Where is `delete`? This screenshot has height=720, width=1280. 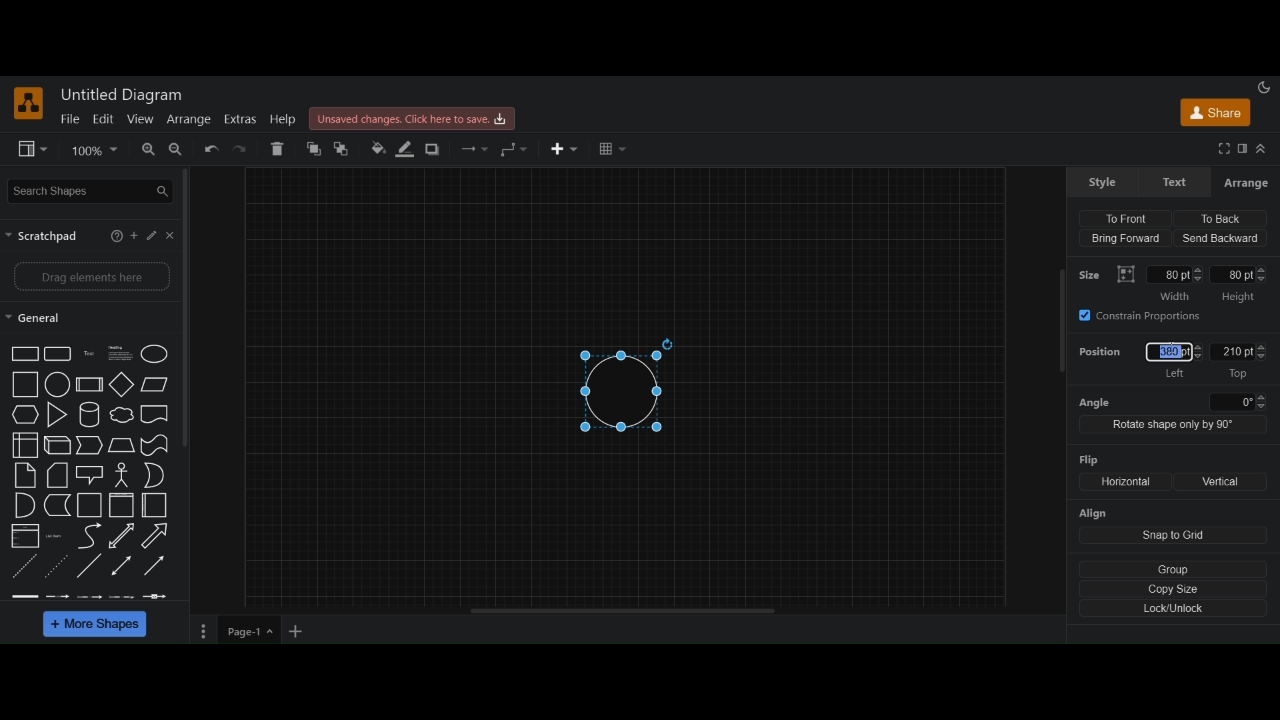 delete is located at coordinates (279, 148).